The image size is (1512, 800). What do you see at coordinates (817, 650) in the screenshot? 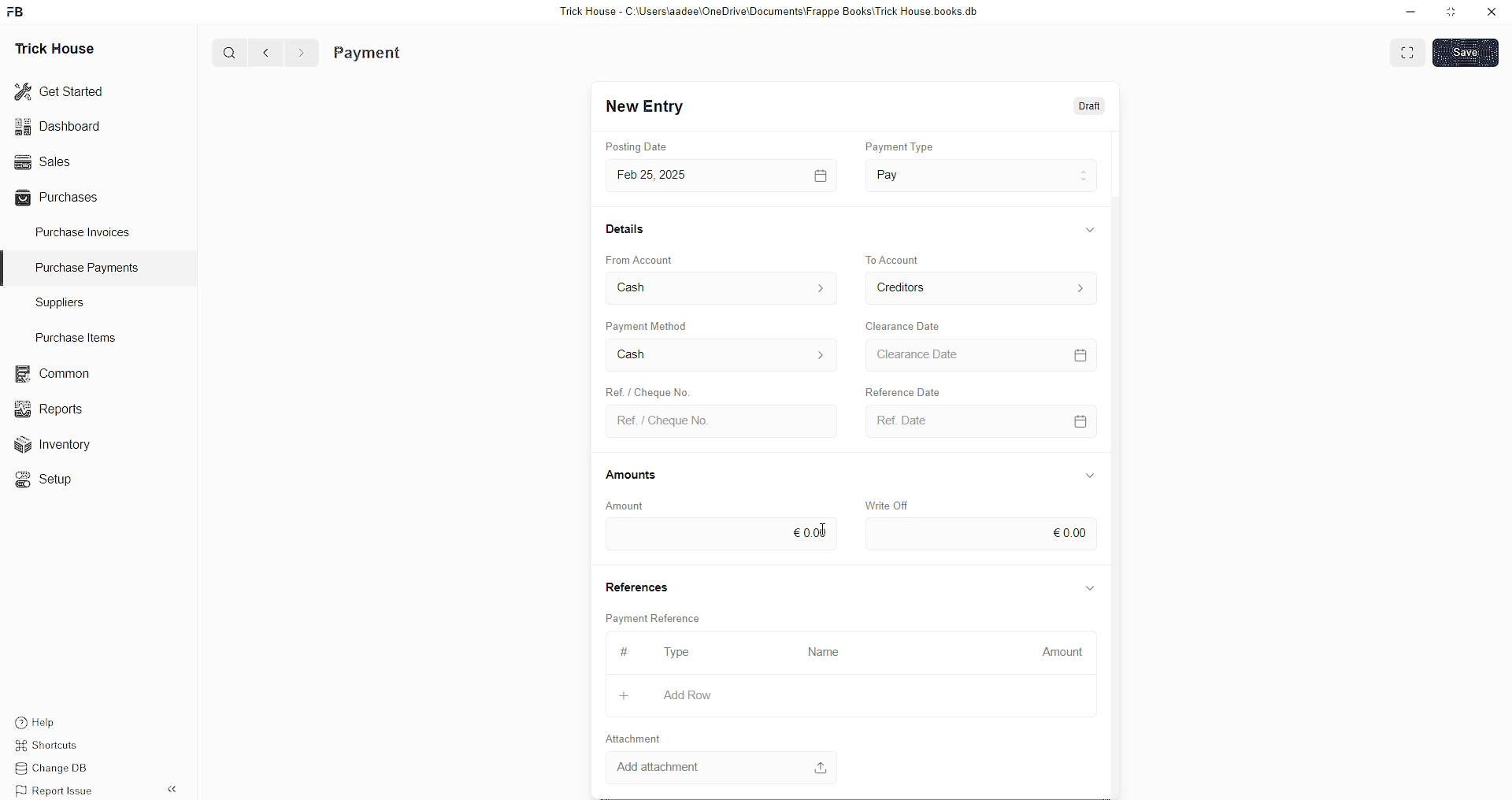
I see `Name` at bounding box center [817, 650].